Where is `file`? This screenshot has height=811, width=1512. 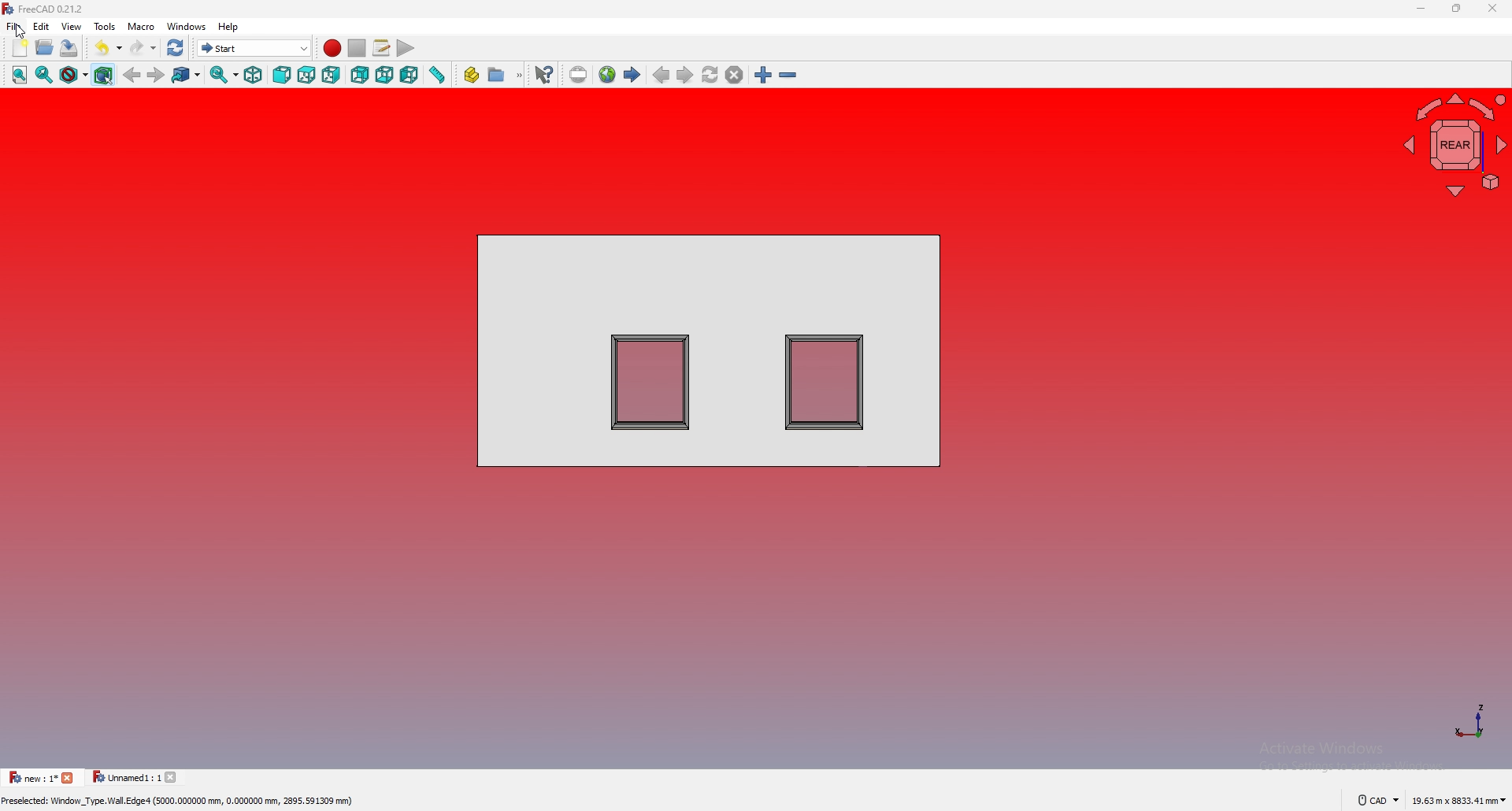
file is located at coordinates (15, 26).